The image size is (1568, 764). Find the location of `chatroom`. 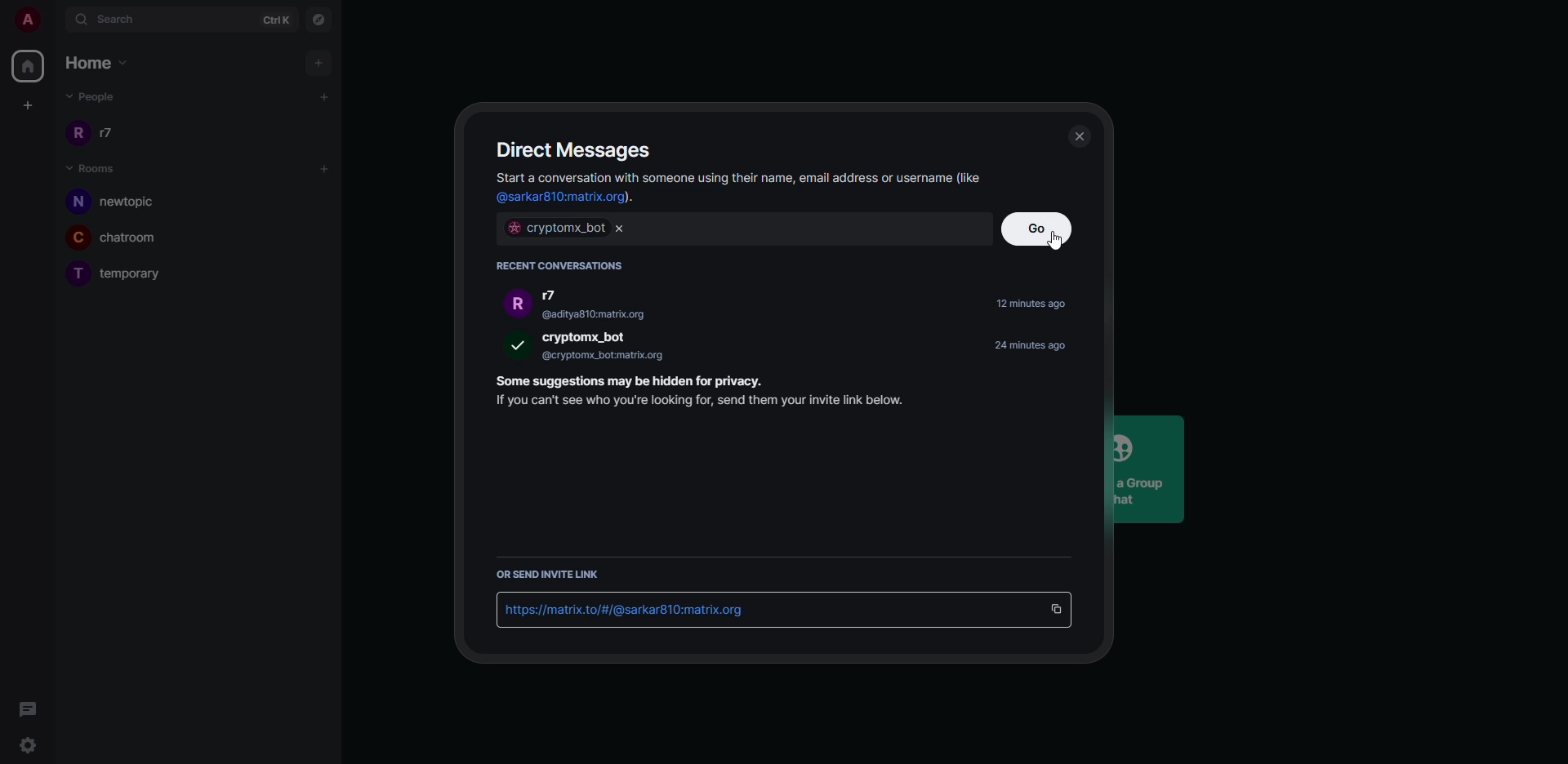

chatroom is located at coordinates (139, 238).